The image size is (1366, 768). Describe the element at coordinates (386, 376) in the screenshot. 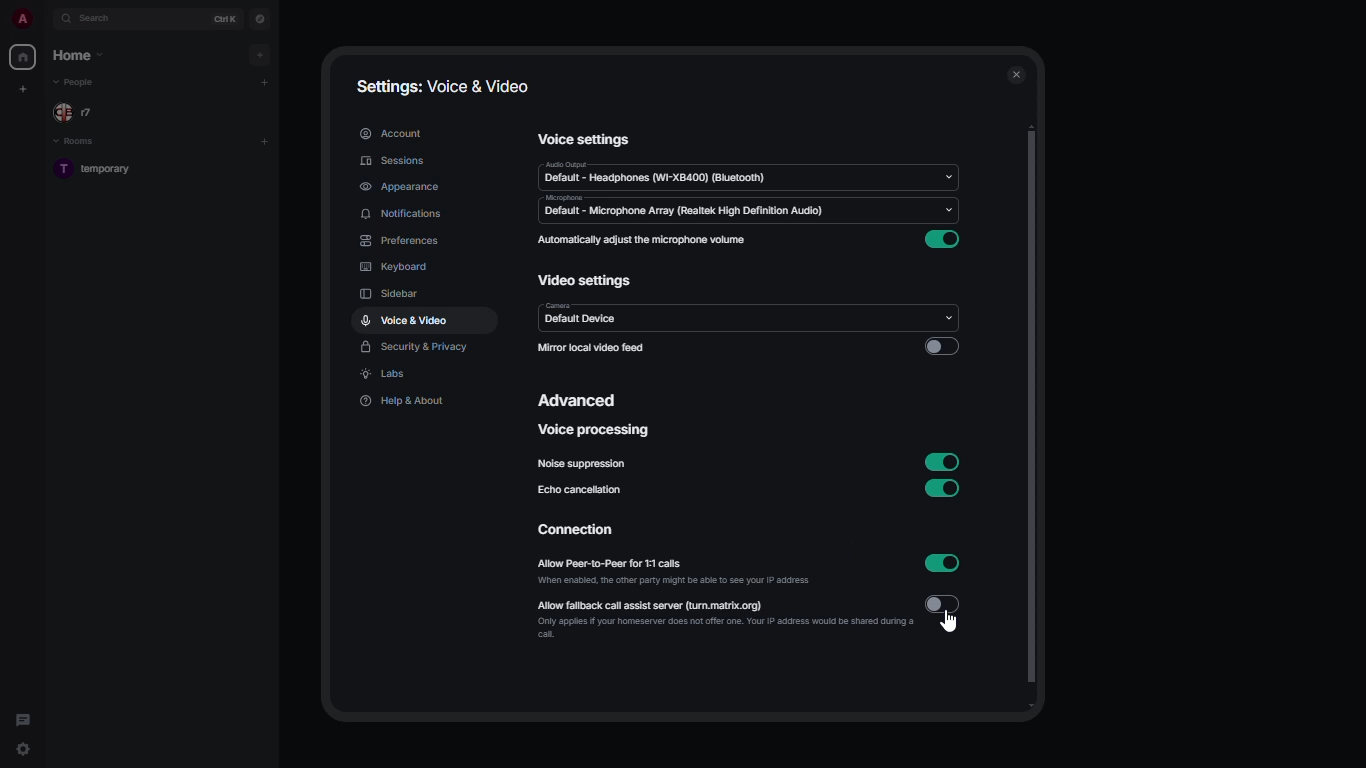

I see `labs` at that location.